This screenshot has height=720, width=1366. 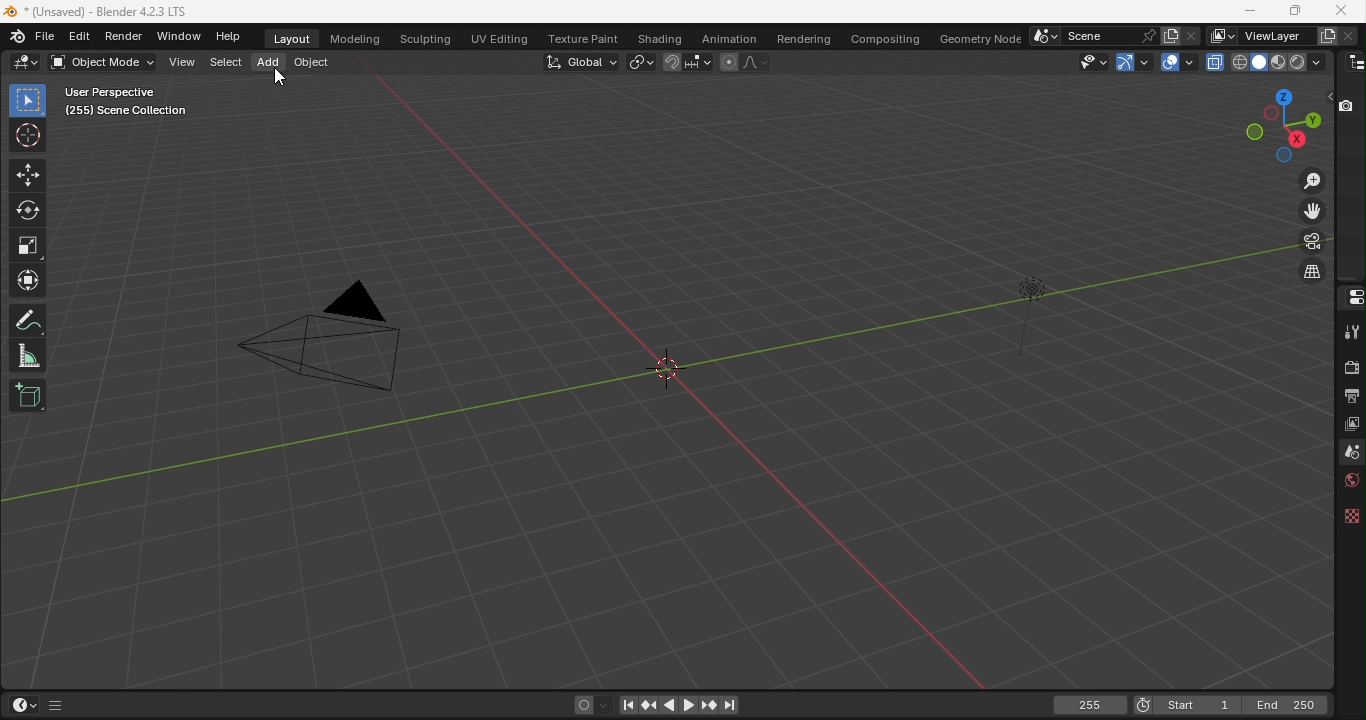 What do you see at coordinates (25, 62) in the screenshot?
I see `Editor type` at bounding box center [25, 62].